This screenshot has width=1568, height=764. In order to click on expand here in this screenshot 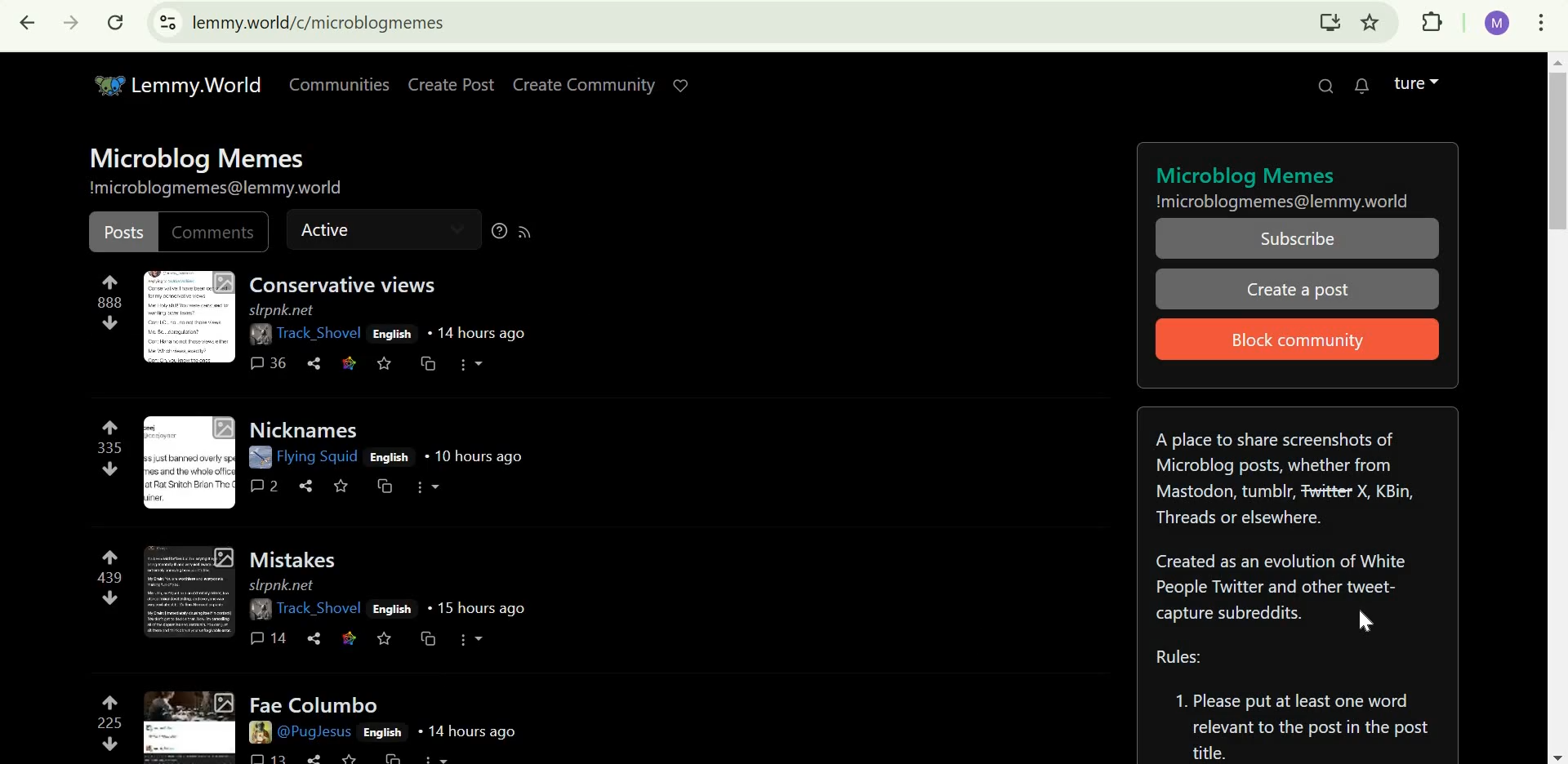, I will do `click(189, 318)`.